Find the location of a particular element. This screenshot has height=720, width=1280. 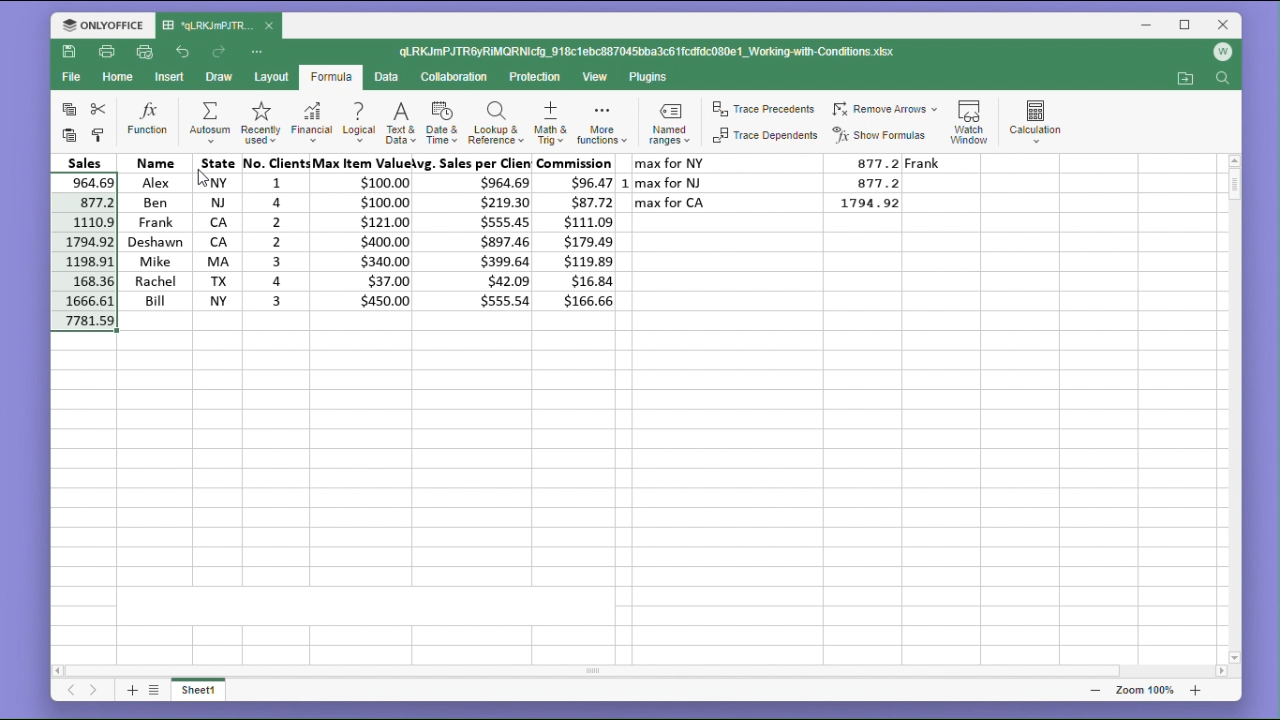

maximize is located at coordinates (1186, 24).